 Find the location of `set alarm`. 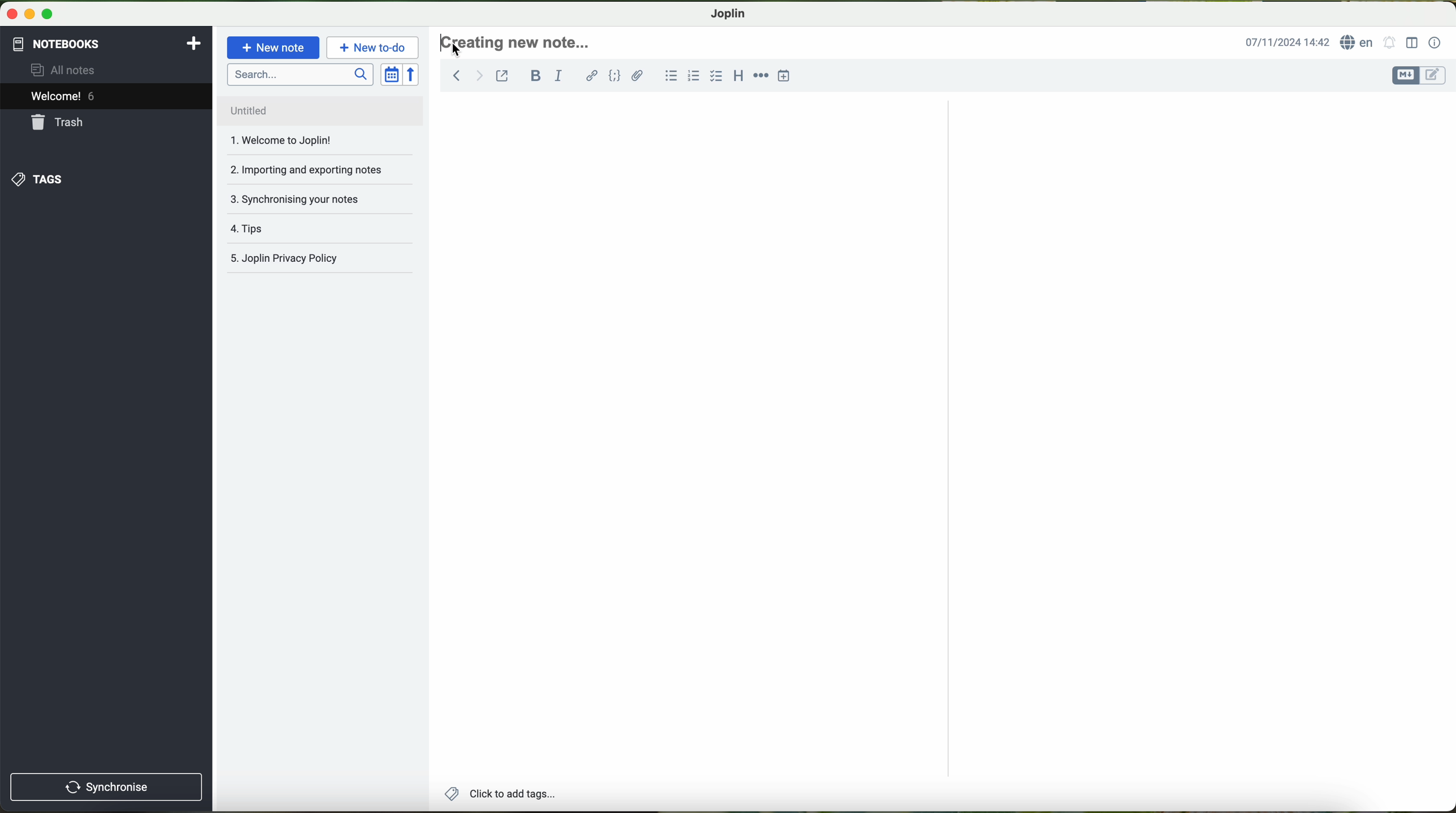

set alarm is located at coordinates (1389, 45).